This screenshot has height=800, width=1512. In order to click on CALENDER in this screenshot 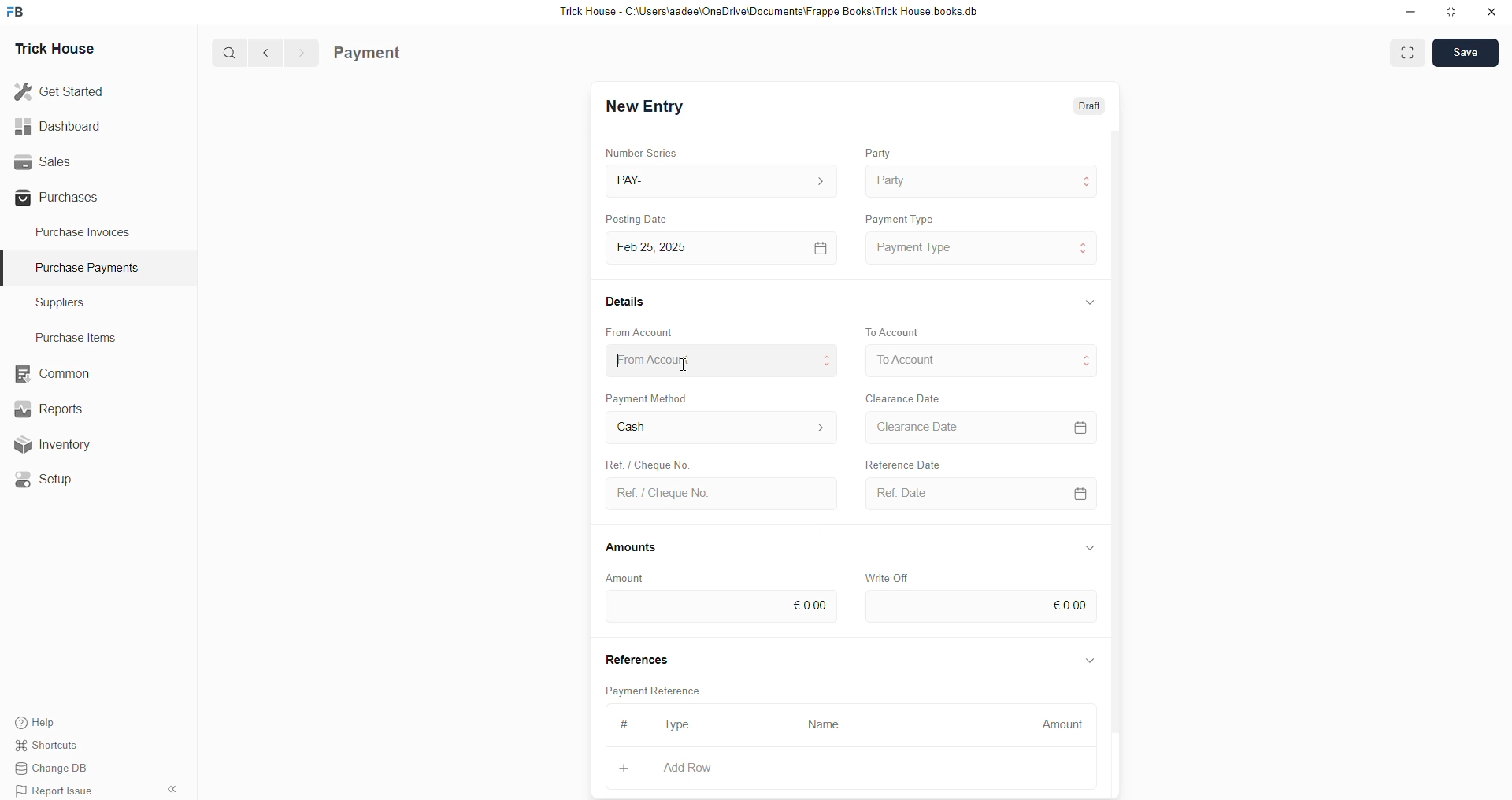, I will do `click(1080, 492)`.